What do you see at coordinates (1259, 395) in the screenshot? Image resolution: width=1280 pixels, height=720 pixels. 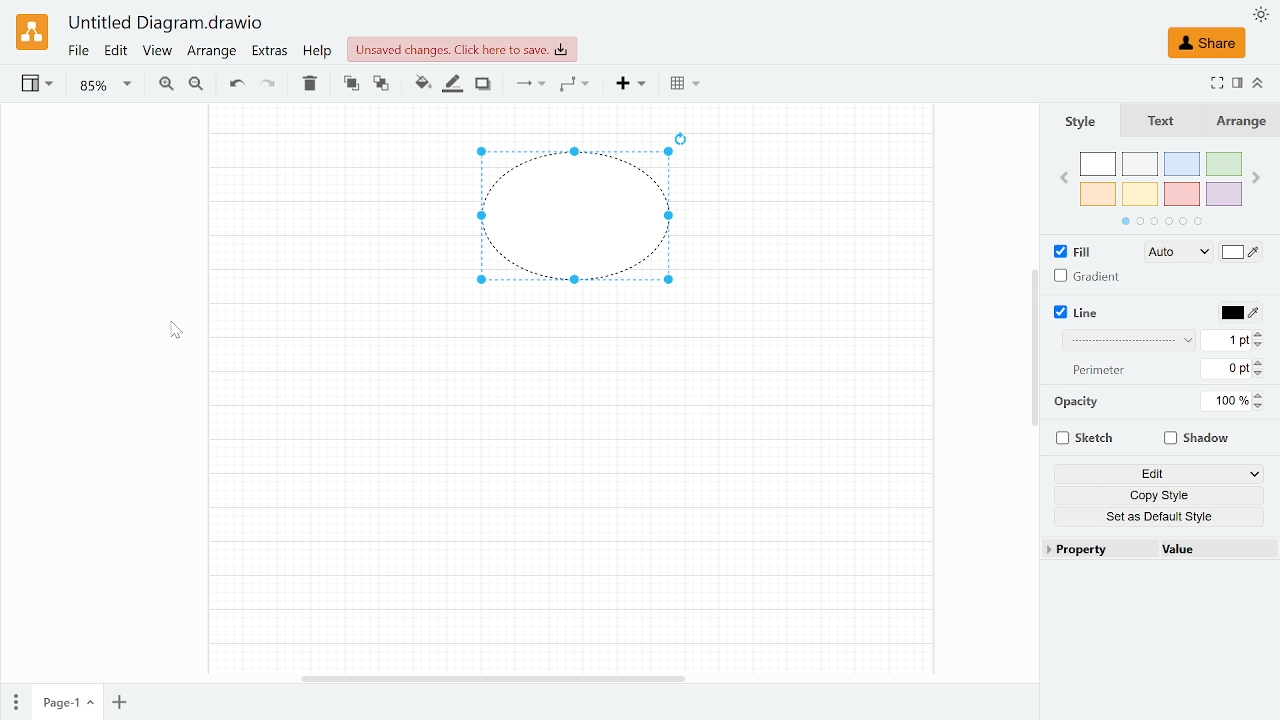 I see `Increase opacity` at bounding box center [1259, 395].